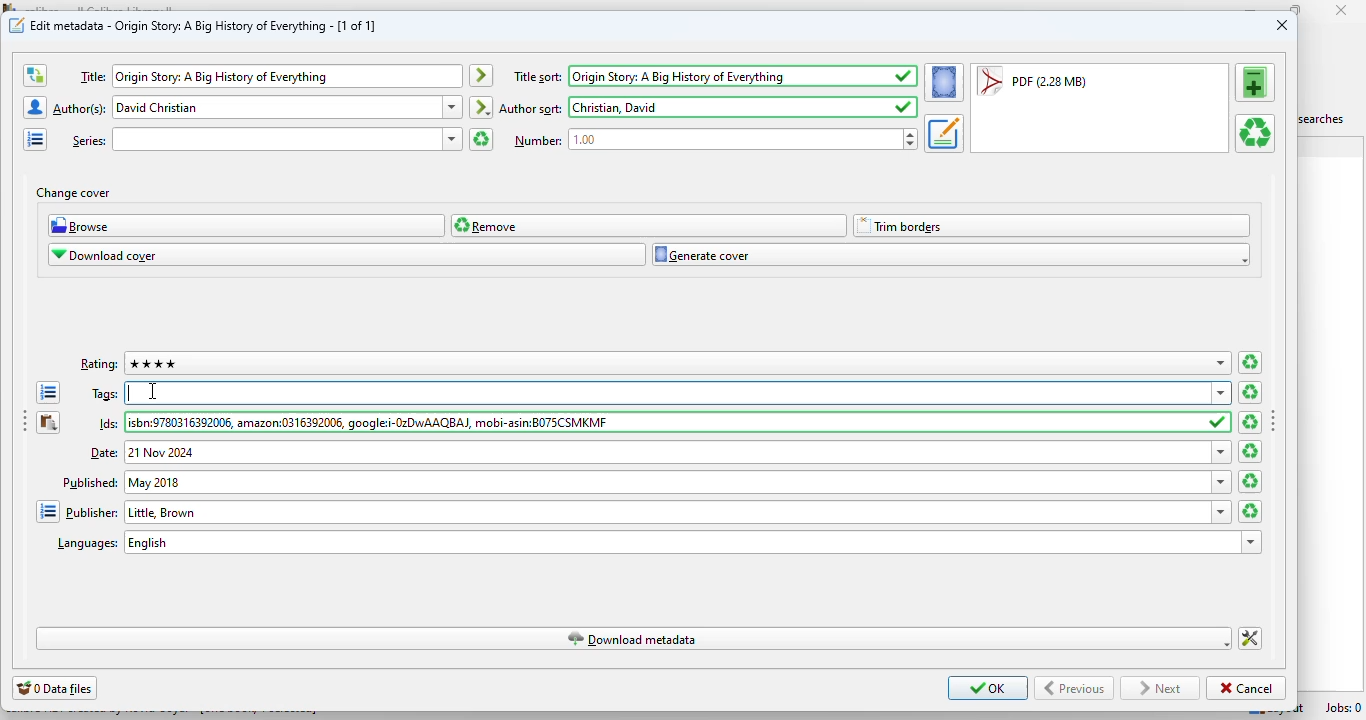  I want to click on text, so click(110, 424).